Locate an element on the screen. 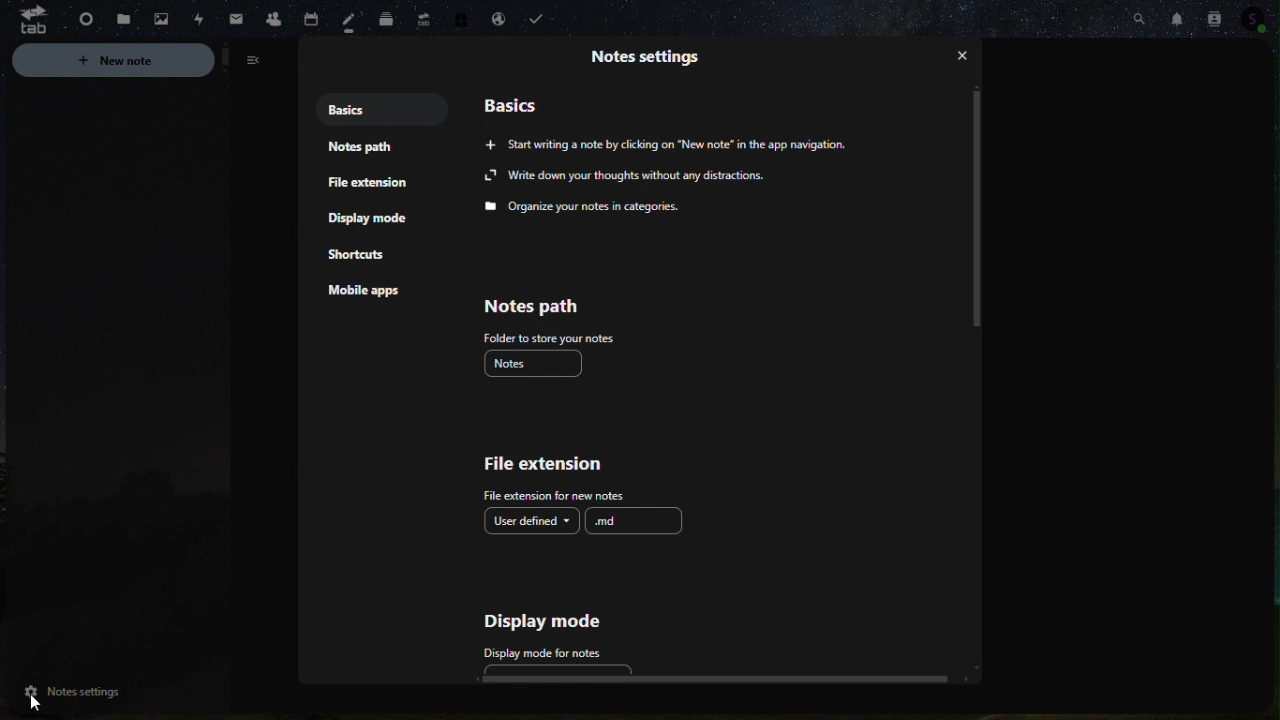  File extensions is located at coordinates (364, 184).